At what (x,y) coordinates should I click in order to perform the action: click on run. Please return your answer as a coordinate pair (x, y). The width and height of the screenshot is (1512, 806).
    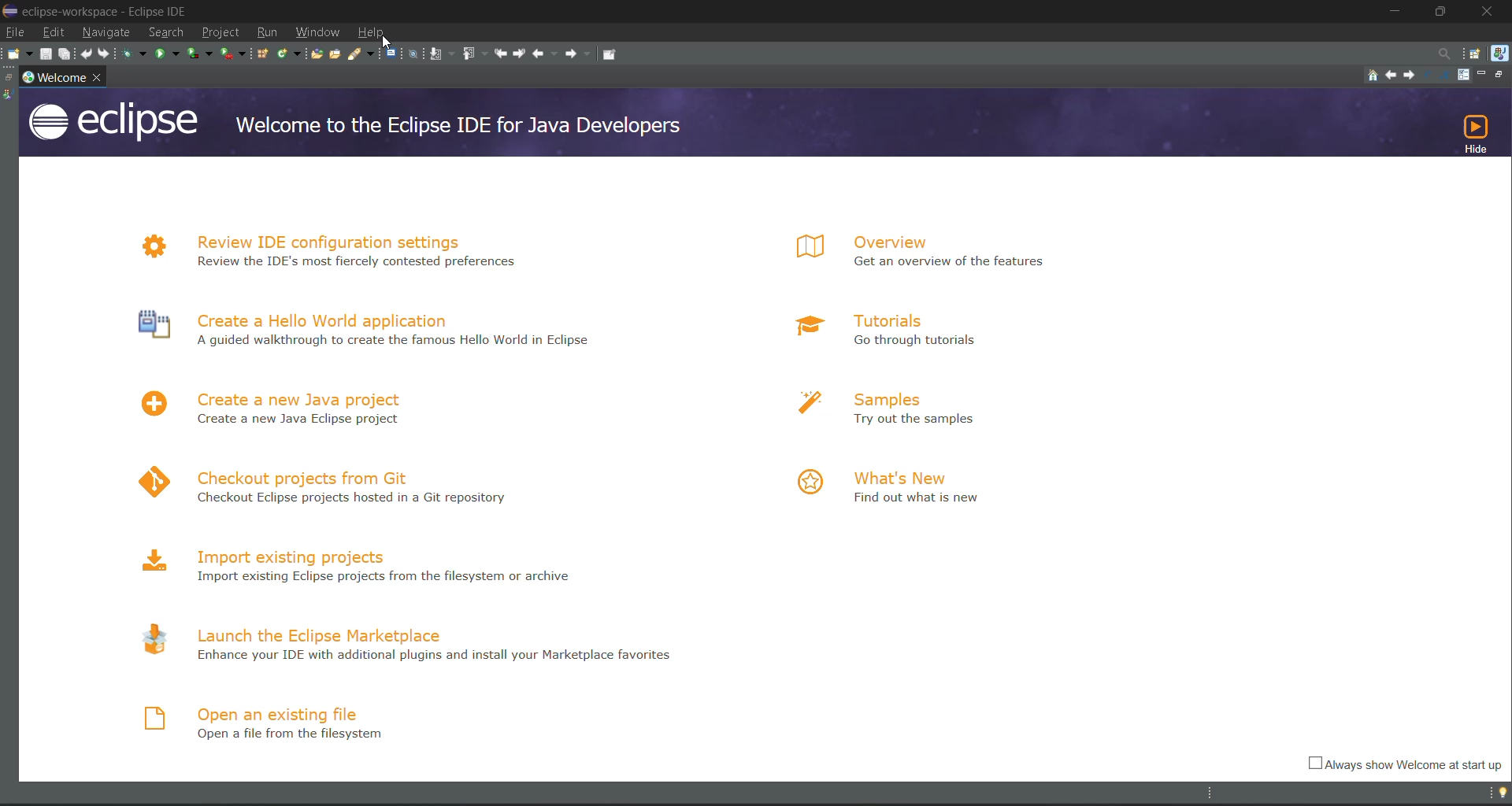
    Looking at the image, I should click on (272, 33).